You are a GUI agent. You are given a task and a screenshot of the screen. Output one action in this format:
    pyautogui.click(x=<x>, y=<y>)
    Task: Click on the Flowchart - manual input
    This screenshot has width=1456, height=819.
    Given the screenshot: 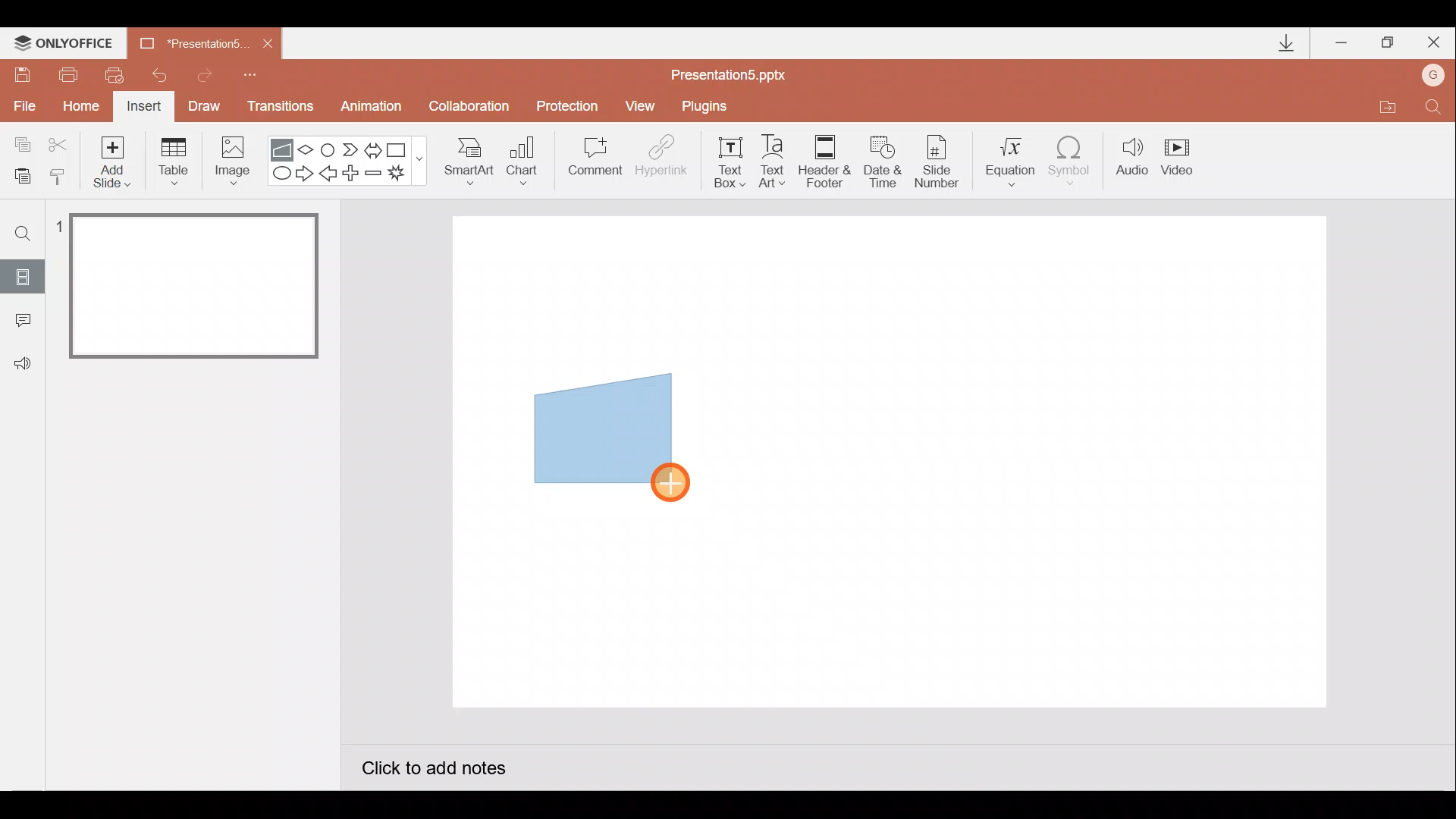 What is the action you would take?
    pyautogui.click(x=284, y=148)
    